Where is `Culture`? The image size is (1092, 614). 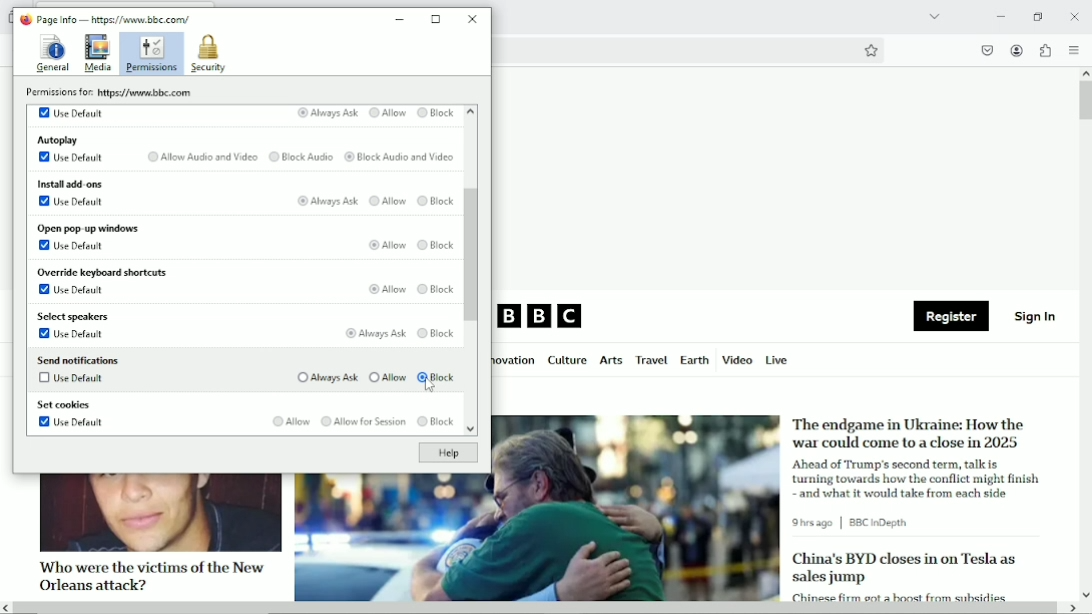 Culture is located at coordinates (567, 361).